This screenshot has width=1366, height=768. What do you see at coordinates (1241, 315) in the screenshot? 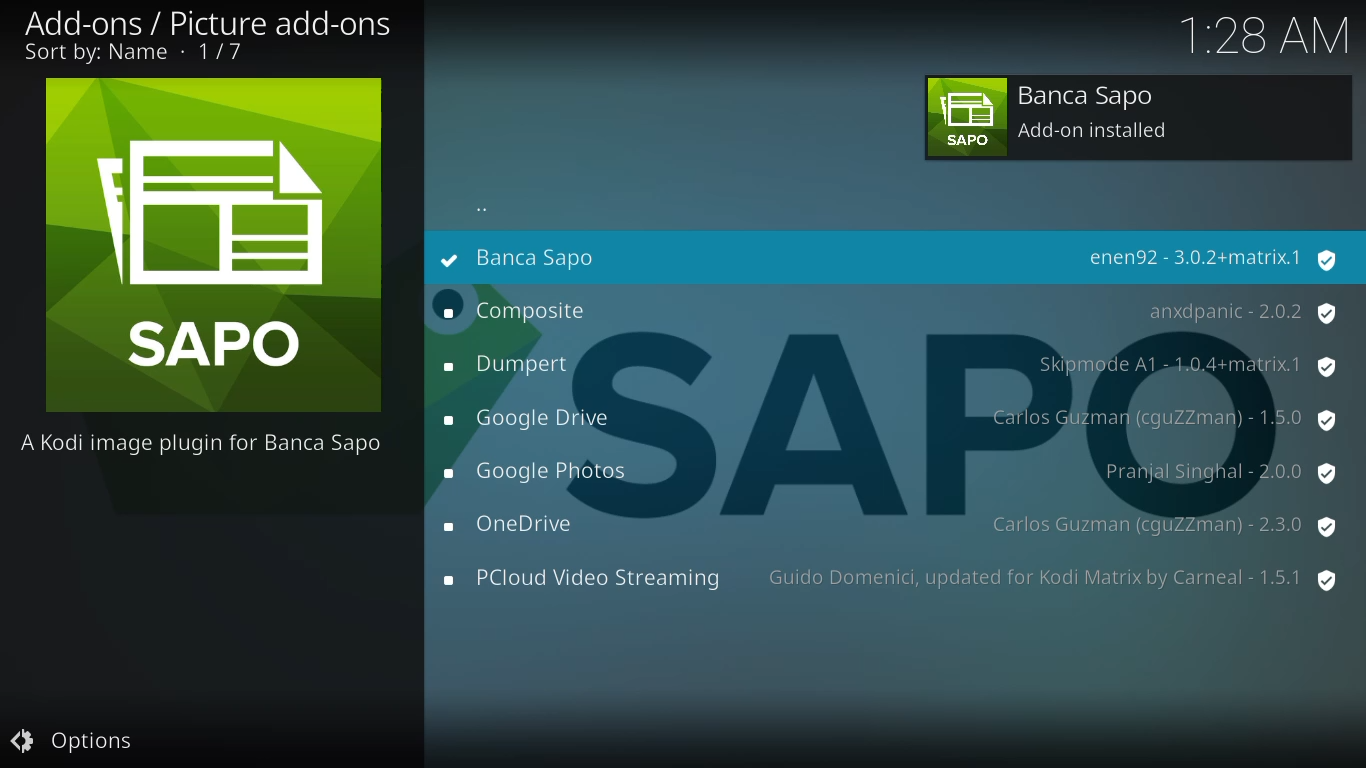
I see `version` at bounding box center [1241, 315].